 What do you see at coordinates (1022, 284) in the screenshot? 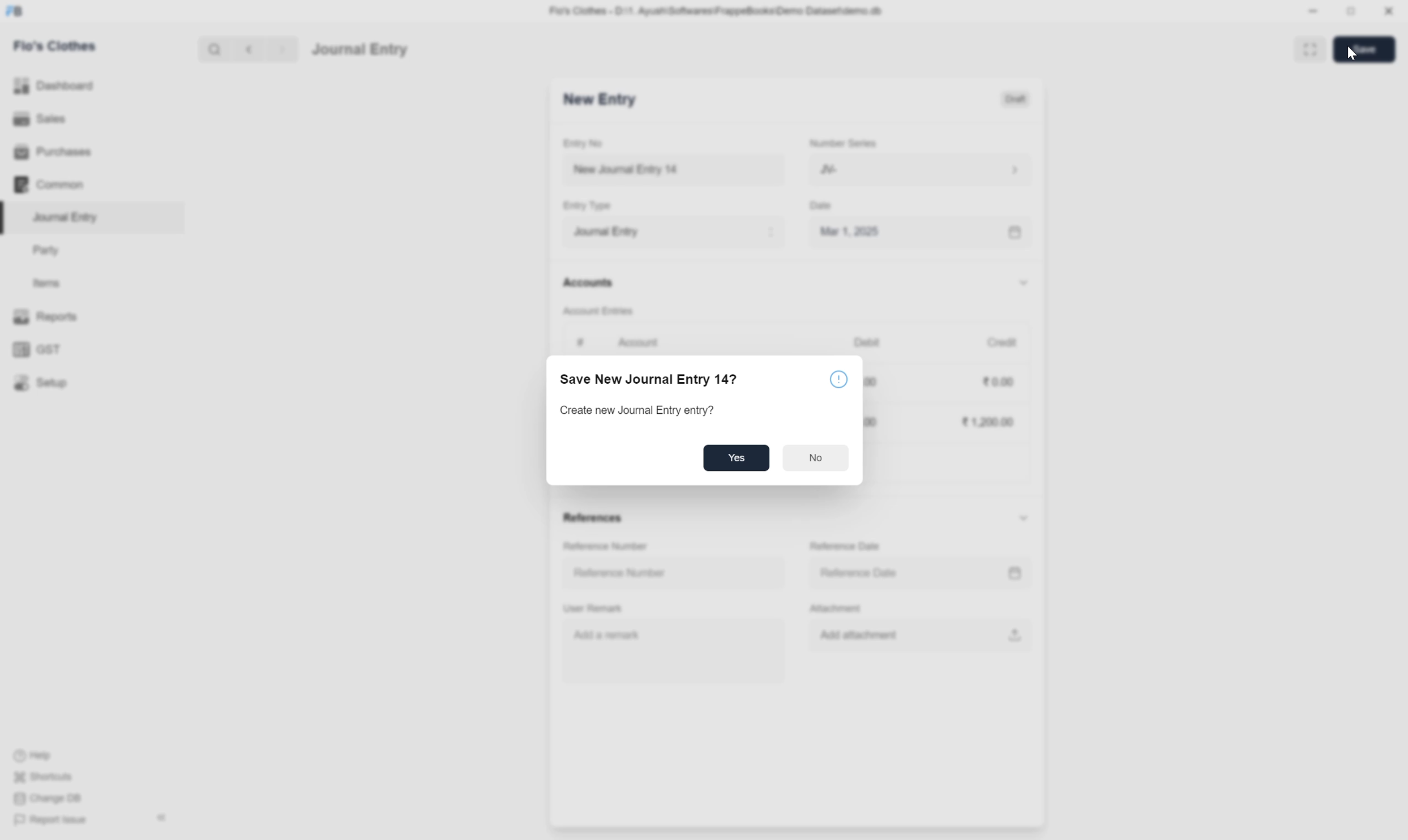
I see `down` at bounding box center [1022, 284].